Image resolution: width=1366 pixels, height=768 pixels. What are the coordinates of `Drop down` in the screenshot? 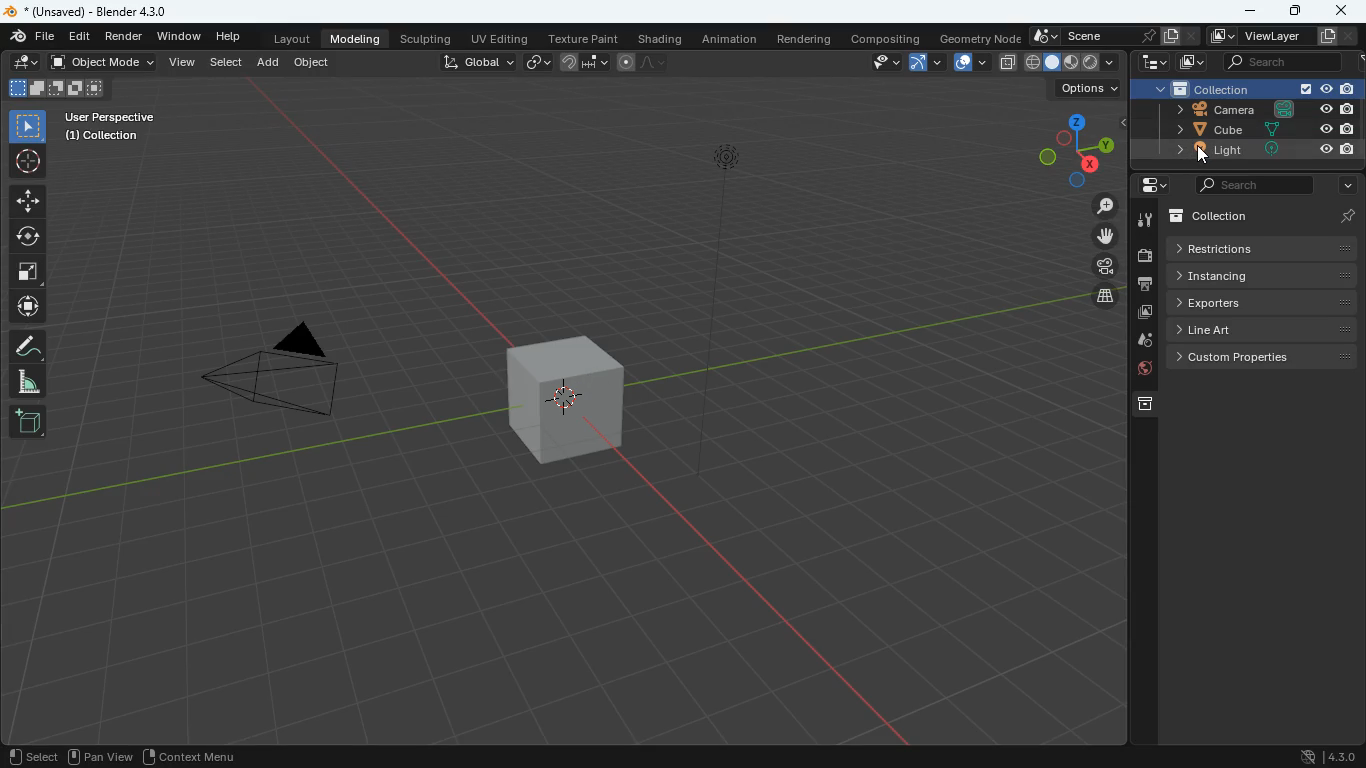 It's located at (1111, 61).